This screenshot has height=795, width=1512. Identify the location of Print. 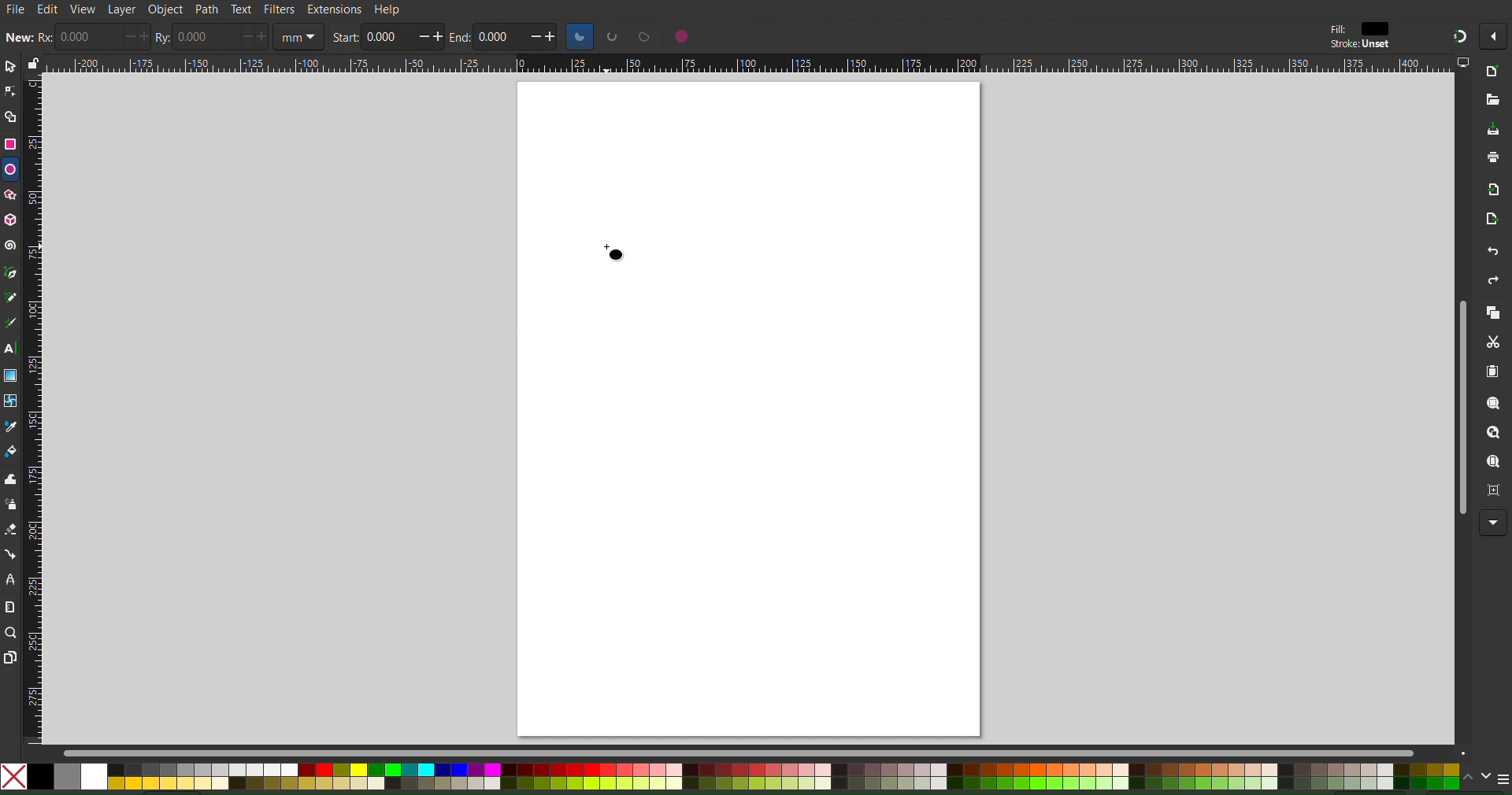
(1492, 159).